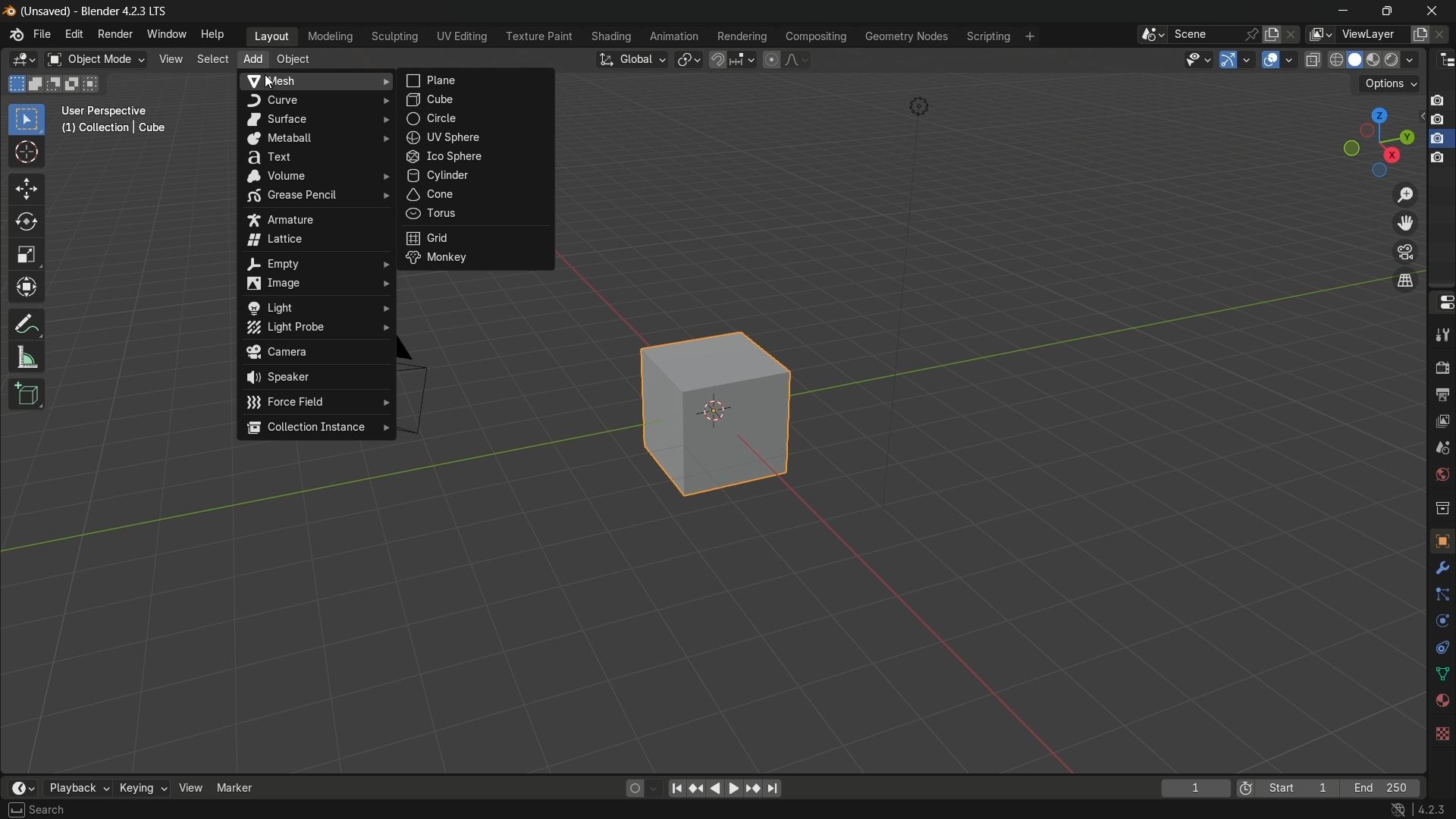  What do you see at coordinates (313, 176) in the screenshot?
I see `volume` at bounding box center [313, 176].